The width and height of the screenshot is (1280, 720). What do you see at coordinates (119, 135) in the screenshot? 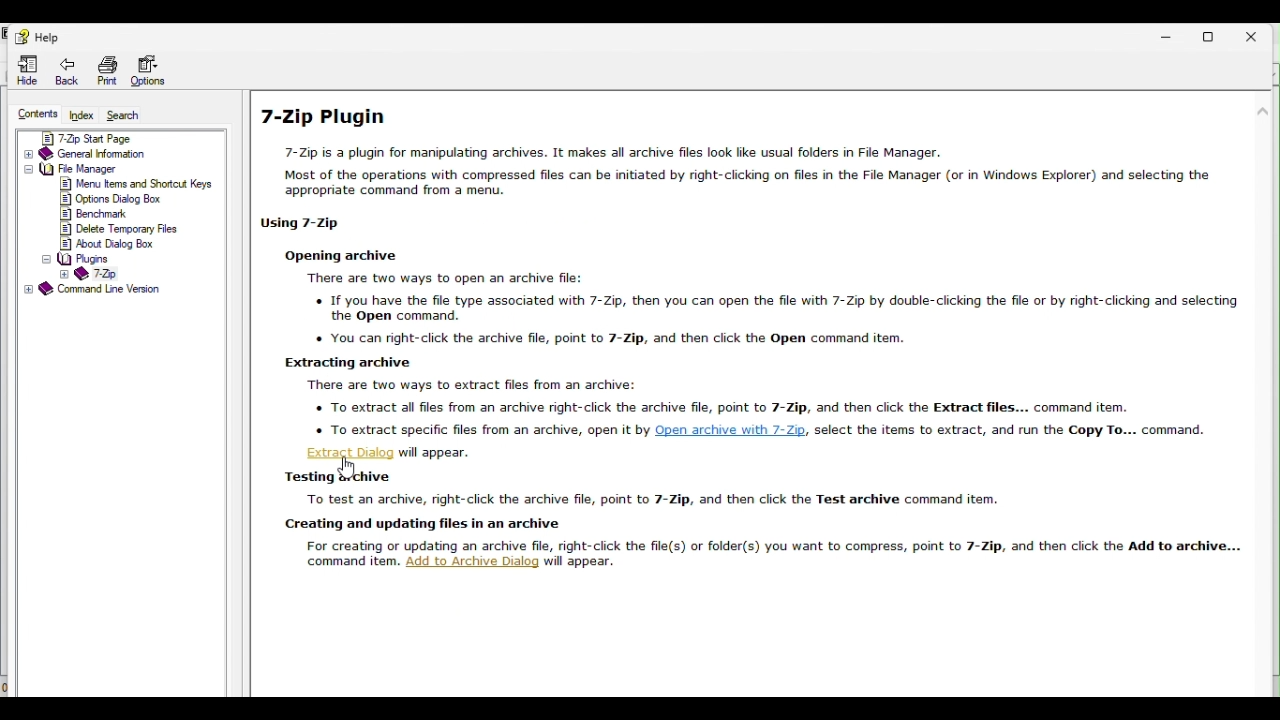
I see `7 zip start page` at bounding box center [119, 135].